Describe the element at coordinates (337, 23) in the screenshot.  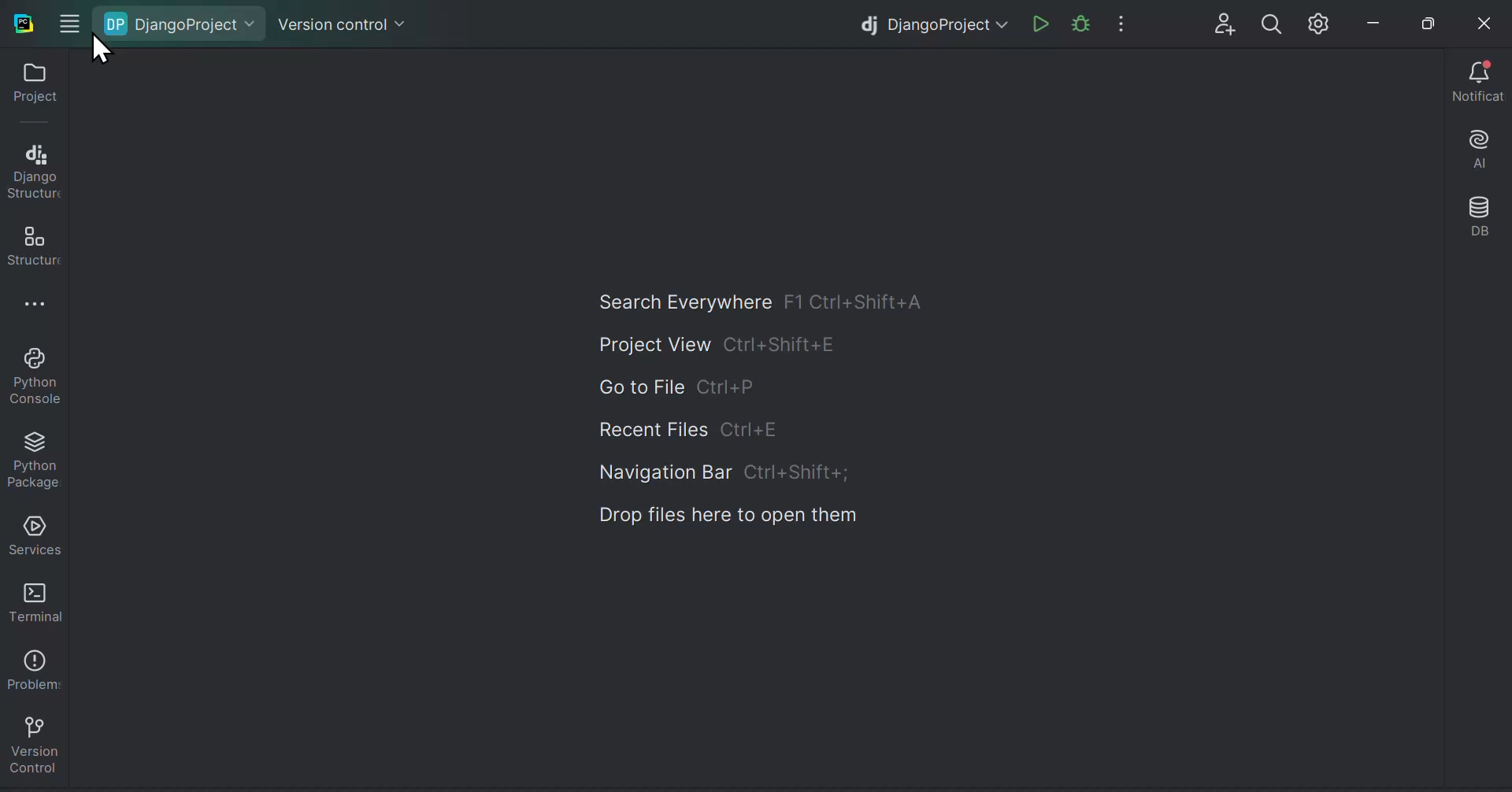
I see `Virgin control` at that location.